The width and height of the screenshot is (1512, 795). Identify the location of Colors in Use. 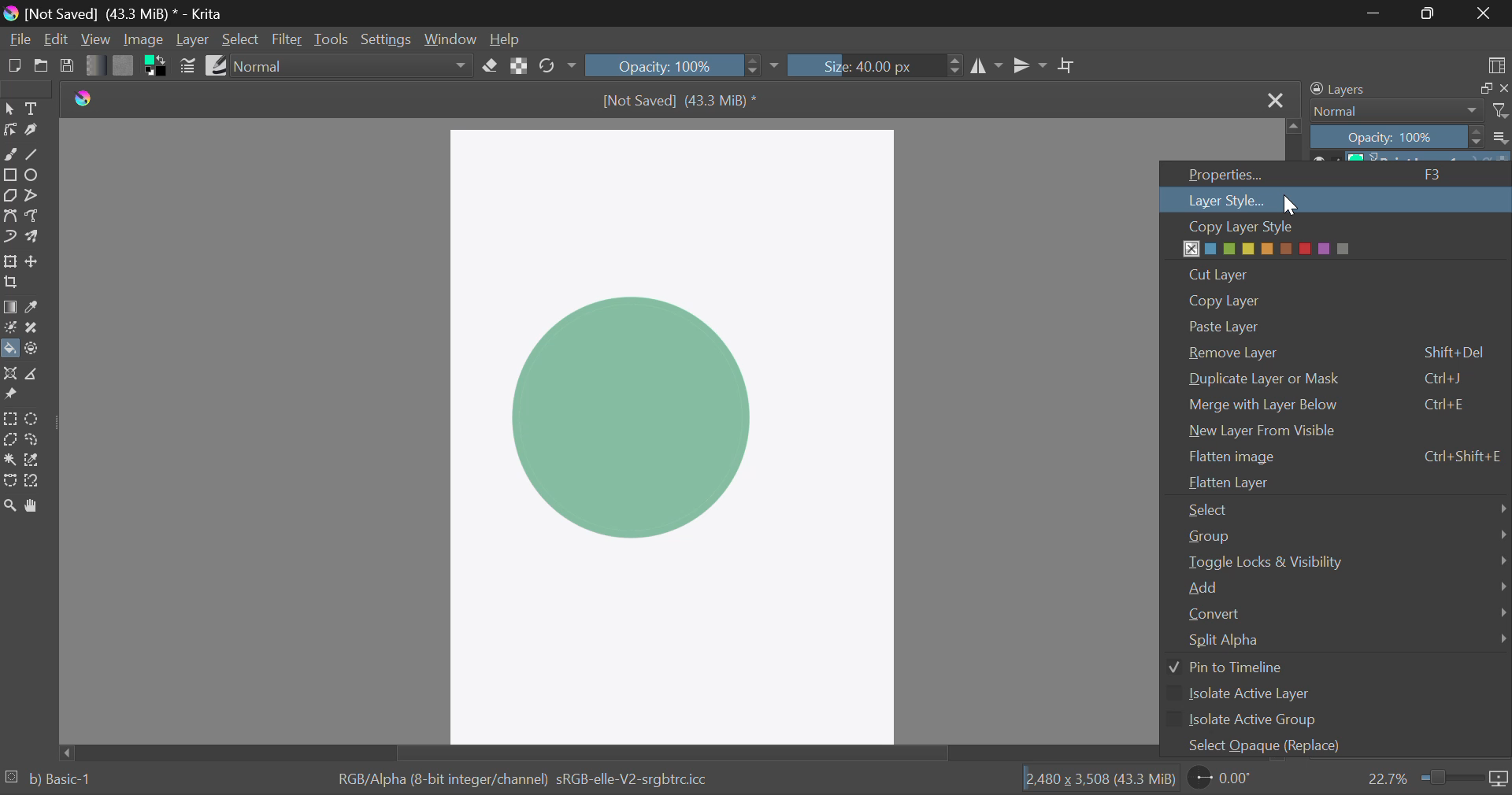
(157, 68).